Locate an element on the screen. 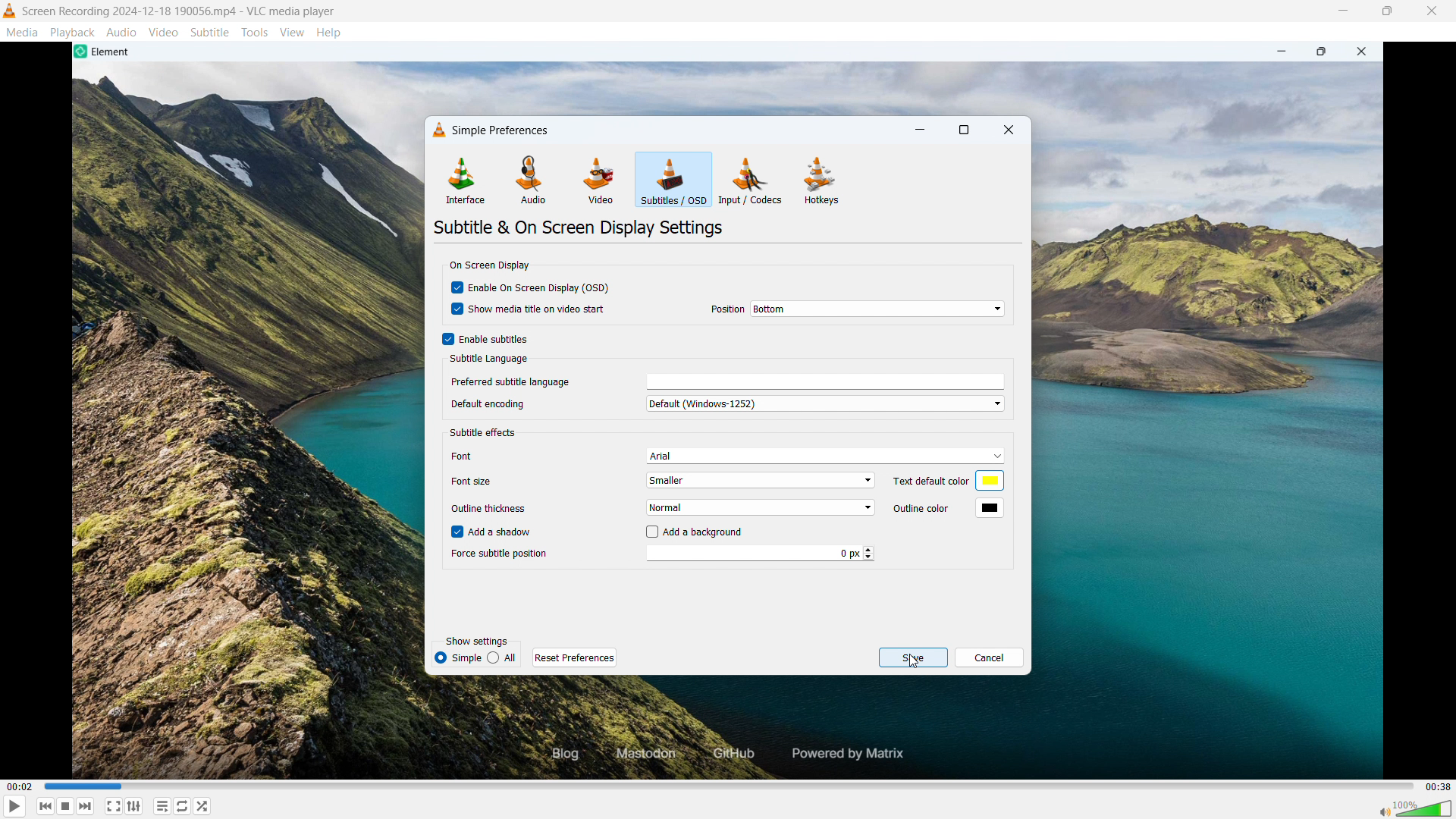 The height and width of the screenshot is (819, 1456). Reset preferences  is located at coordinates (575, 657).